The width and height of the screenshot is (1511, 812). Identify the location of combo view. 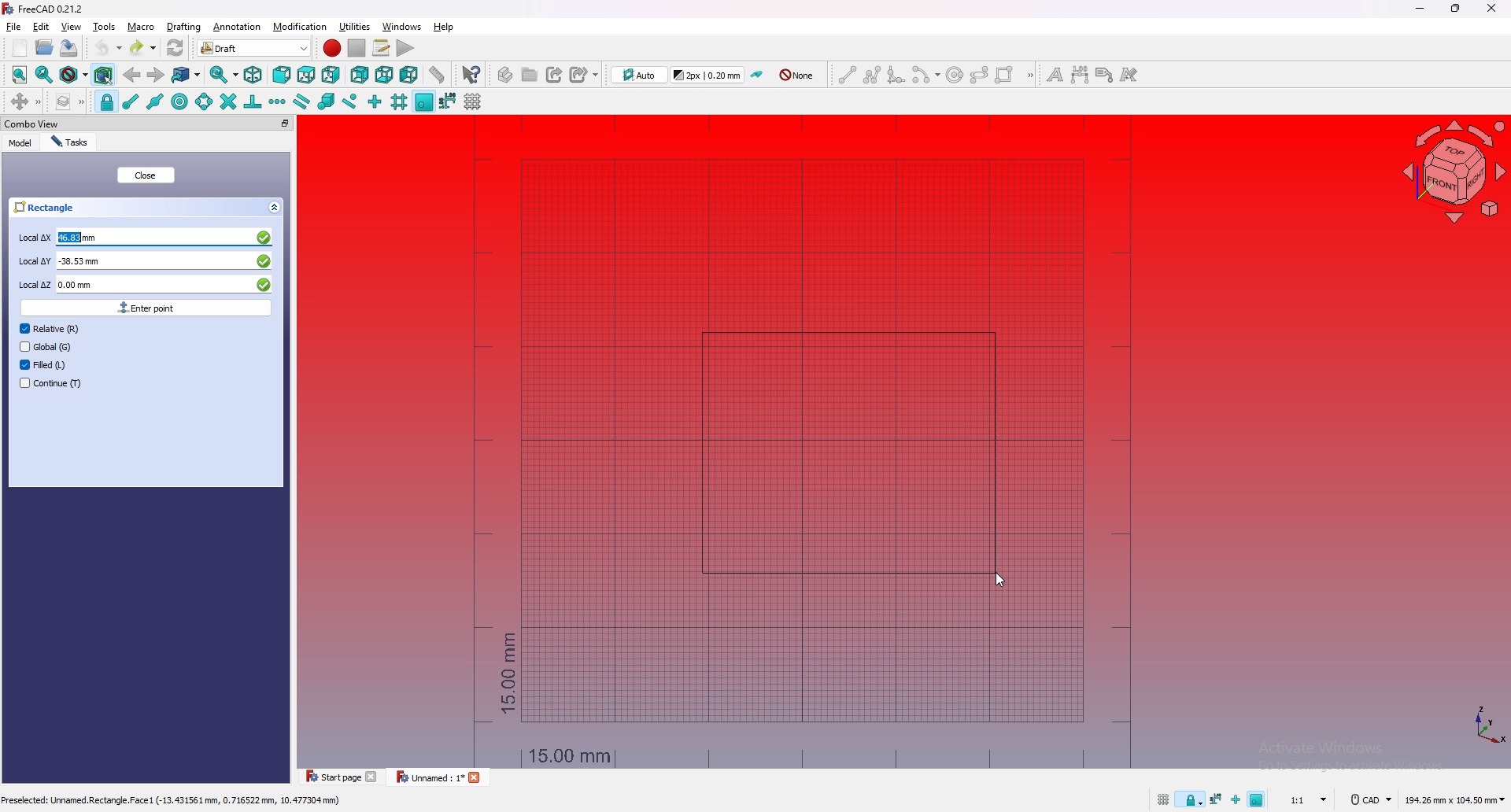
(31, 124).